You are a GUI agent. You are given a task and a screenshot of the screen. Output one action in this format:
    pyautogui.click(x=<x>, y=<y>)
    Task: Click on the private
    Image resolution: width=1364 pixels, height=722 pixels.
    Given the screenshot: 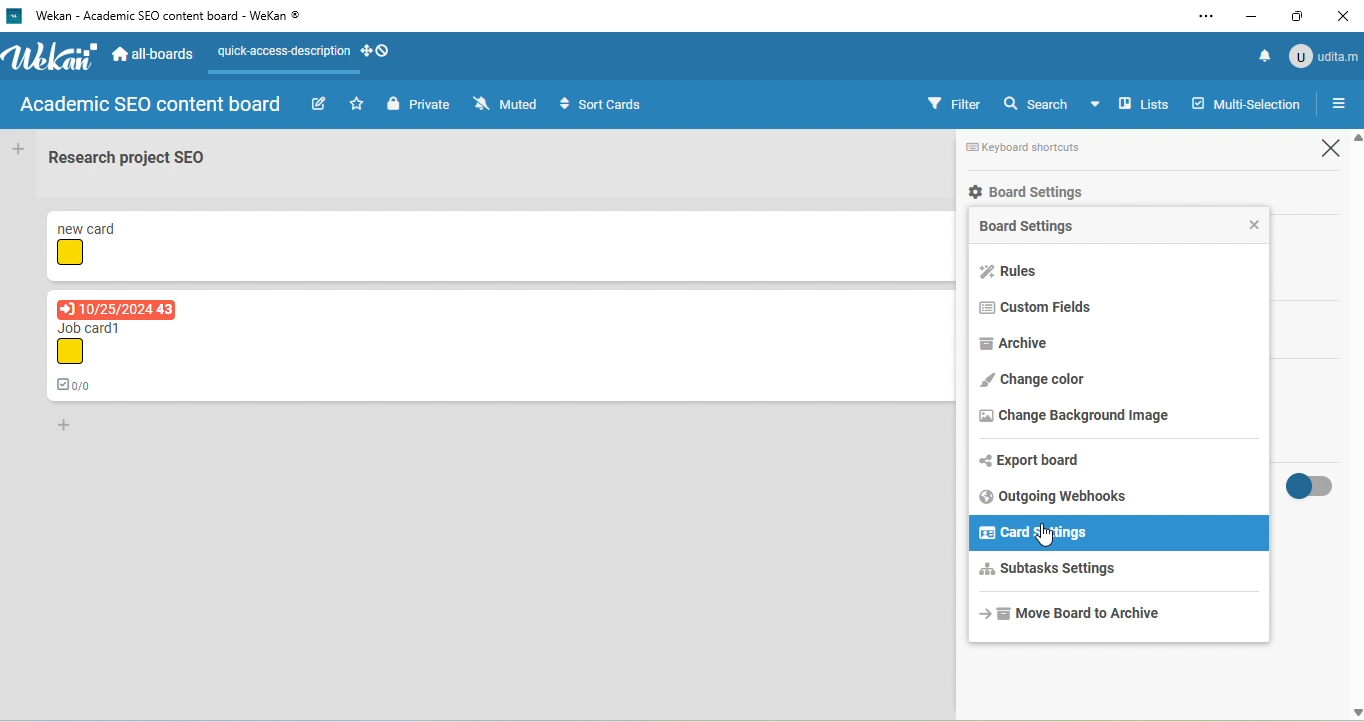 What is the action you would take?
    pyautogui.click(x=417, y=104)
    